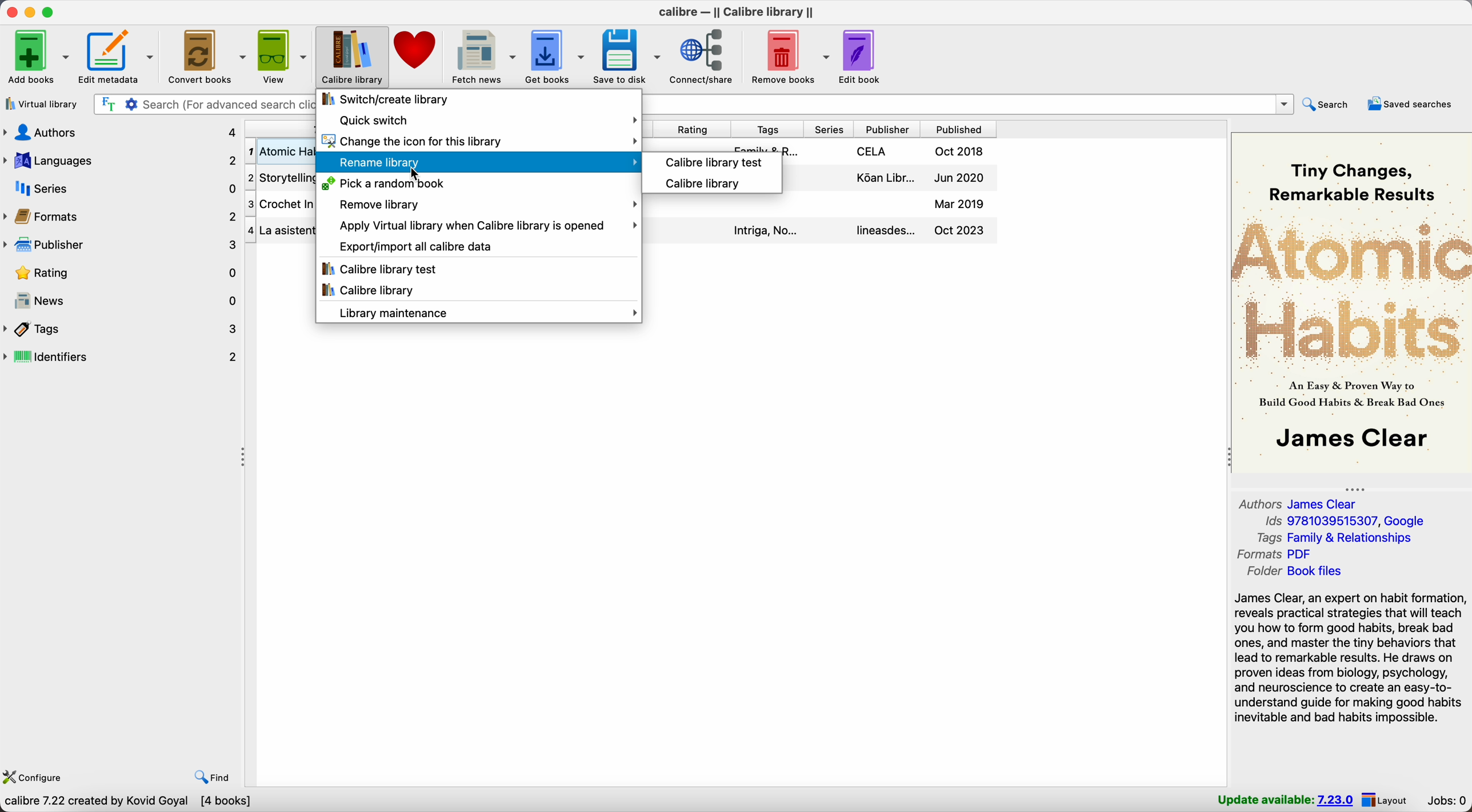 The height and width of the screenshot is (812, 1472). I want to click on library maintenance, so click(483, 313).